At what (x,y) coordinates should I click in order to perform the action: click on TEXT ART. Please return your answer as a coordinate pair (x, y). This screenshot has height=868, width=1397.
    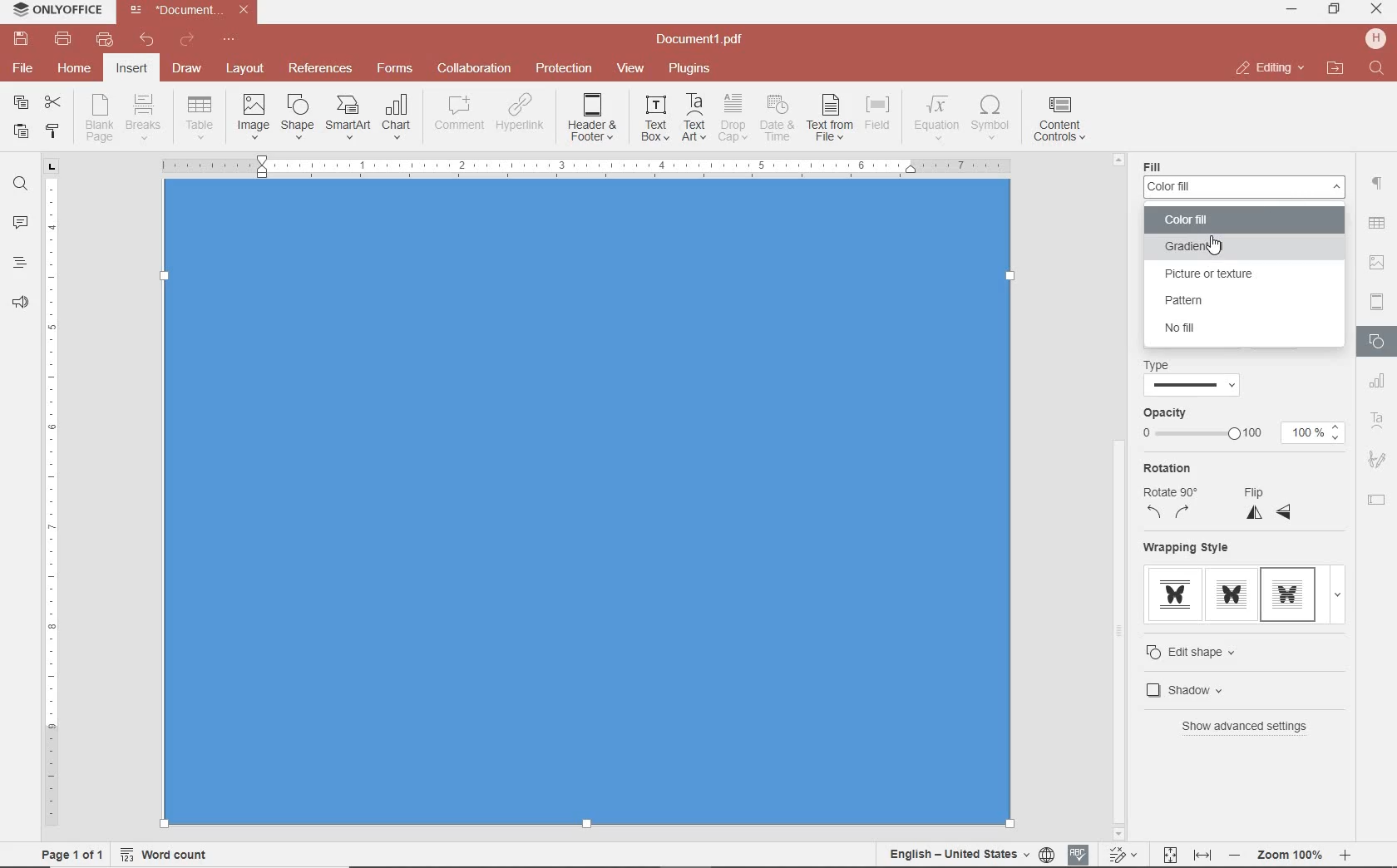
    Looking at the image, I should click on (1378, 422).